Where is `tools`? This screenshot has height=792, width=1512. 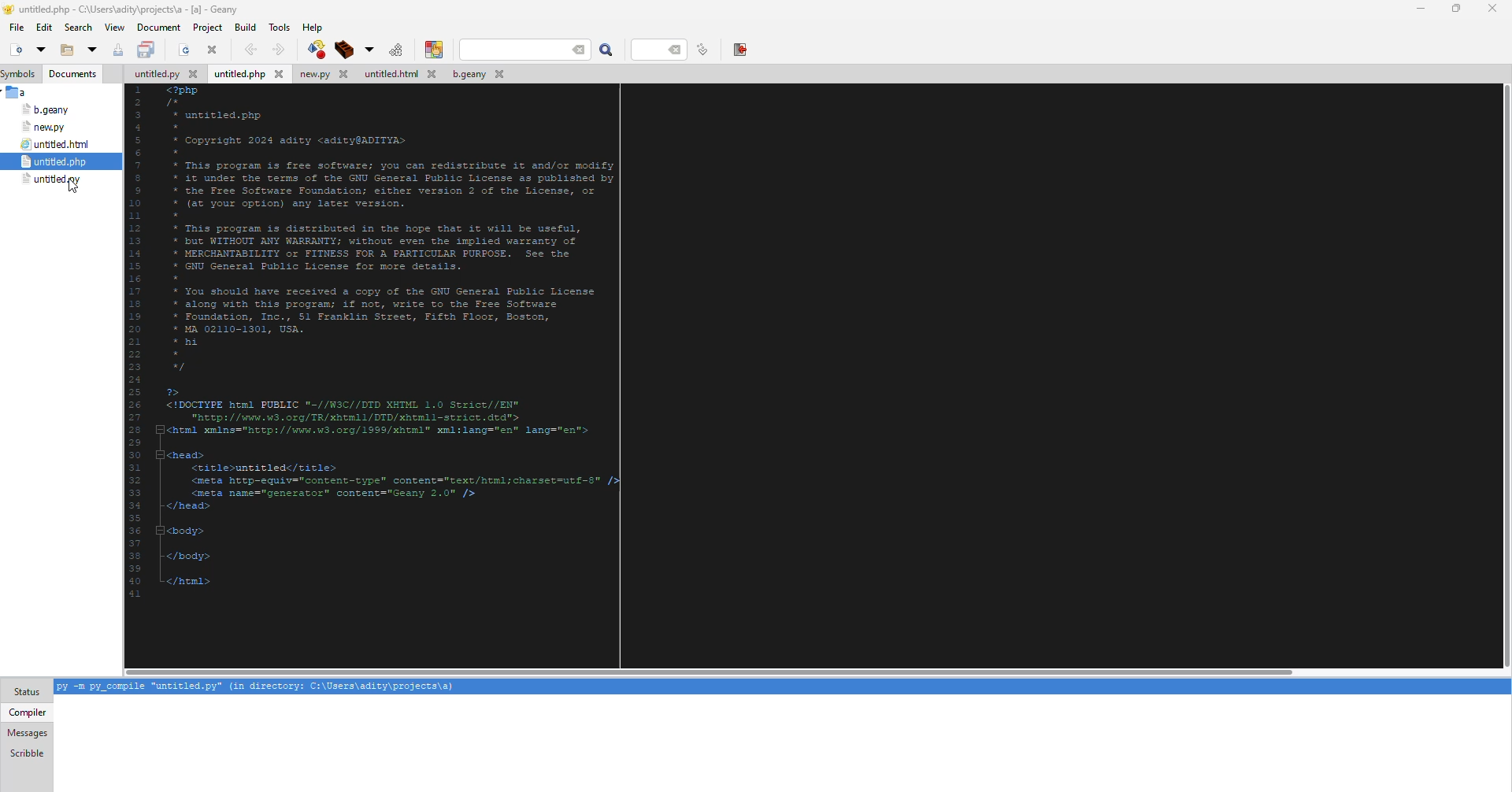 tools is located at coordinates (280, 28).